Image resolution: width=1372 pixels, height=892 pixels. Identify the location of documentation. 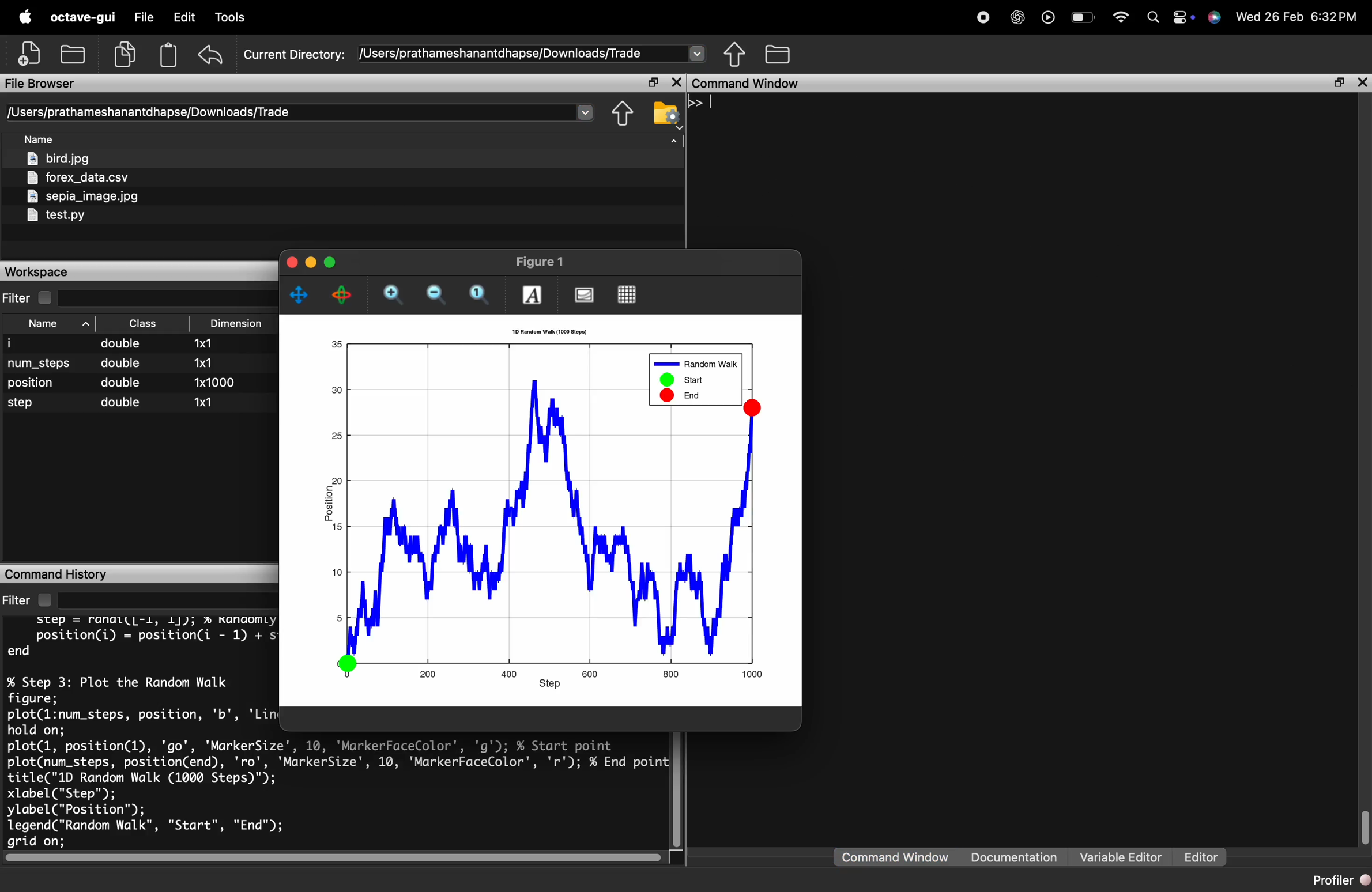
(1014, 858).